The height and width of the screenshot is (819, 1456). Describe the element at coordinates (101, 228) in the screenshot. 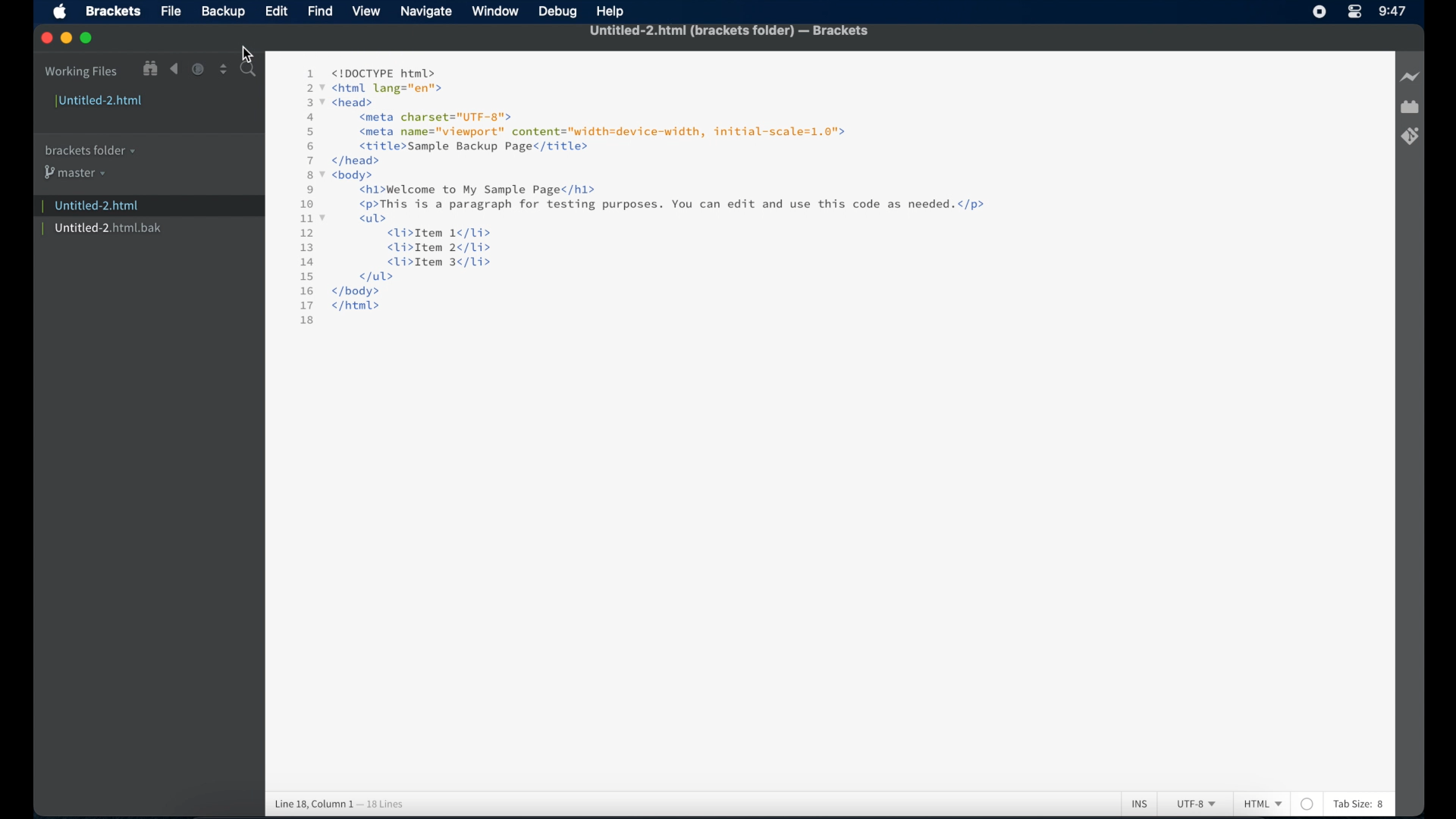

I see `untitled-2.html.bak` at that location.